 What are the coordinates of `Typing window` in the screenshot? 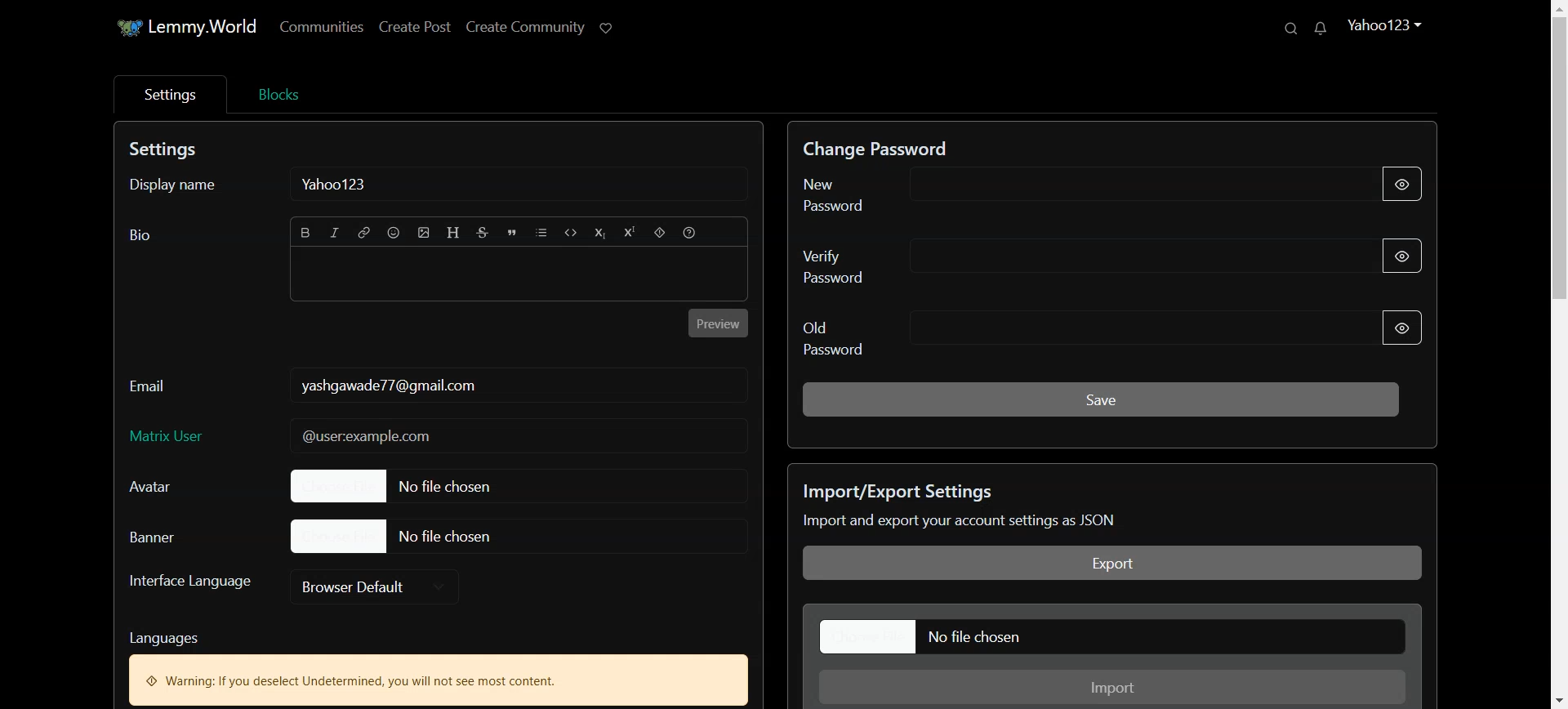 It's located at (519, 277).